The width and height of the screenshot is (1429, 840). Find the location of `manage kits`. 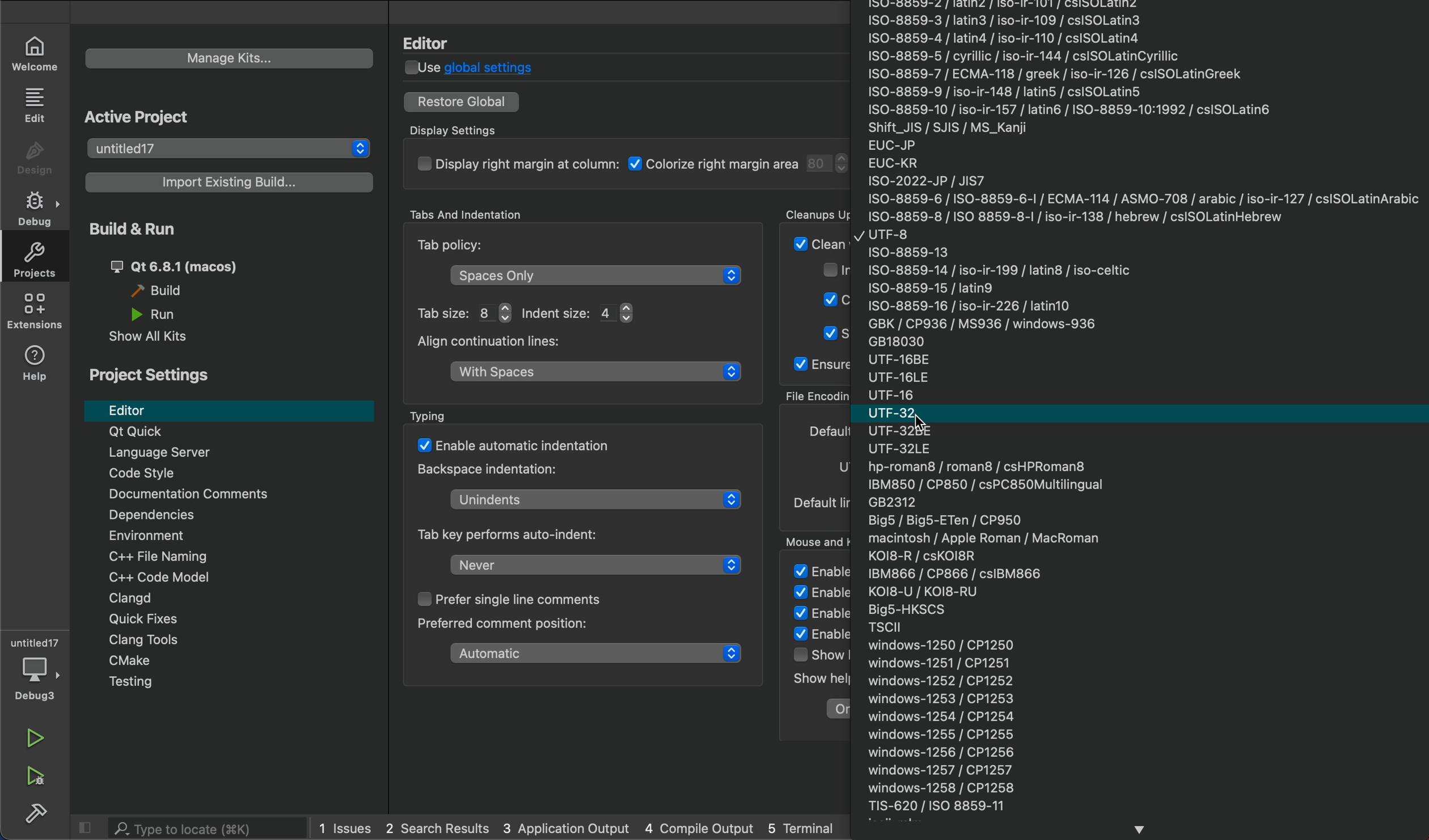

manage kits is located at coordinates (232, 57).